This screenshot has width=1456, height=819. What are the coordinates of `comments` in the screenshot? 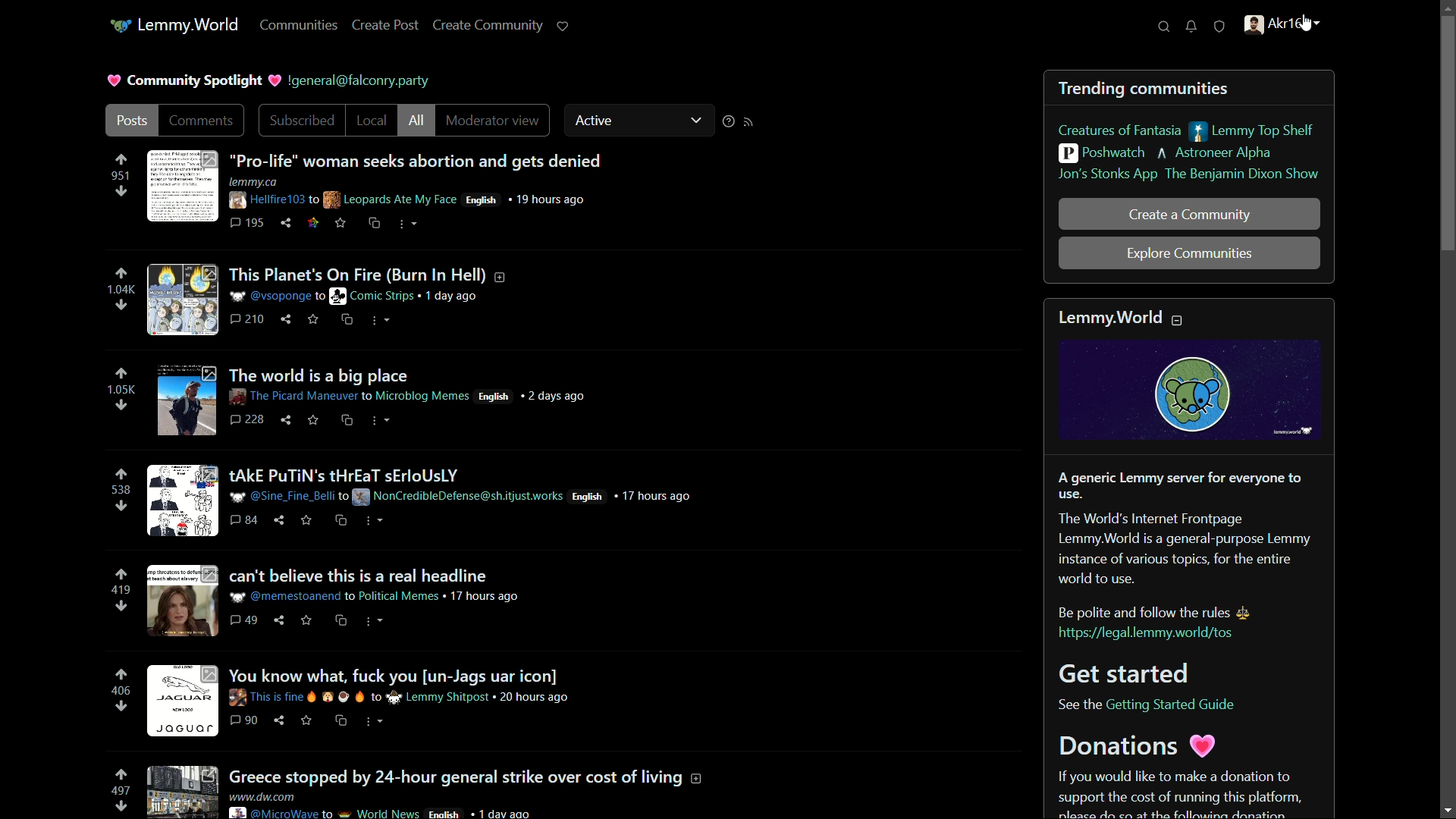 It's located at (202, 120).